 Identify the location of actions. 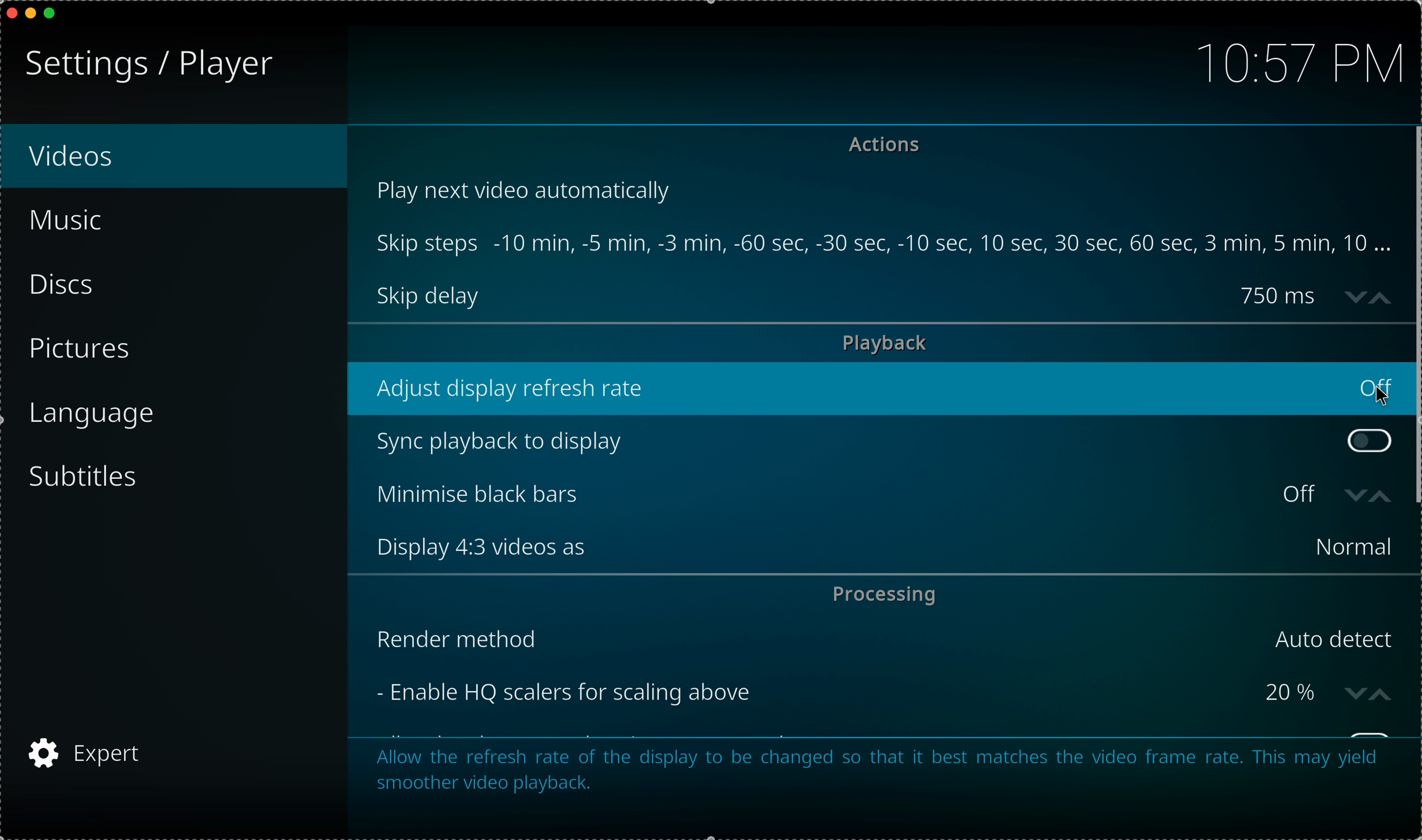
(889, 147).